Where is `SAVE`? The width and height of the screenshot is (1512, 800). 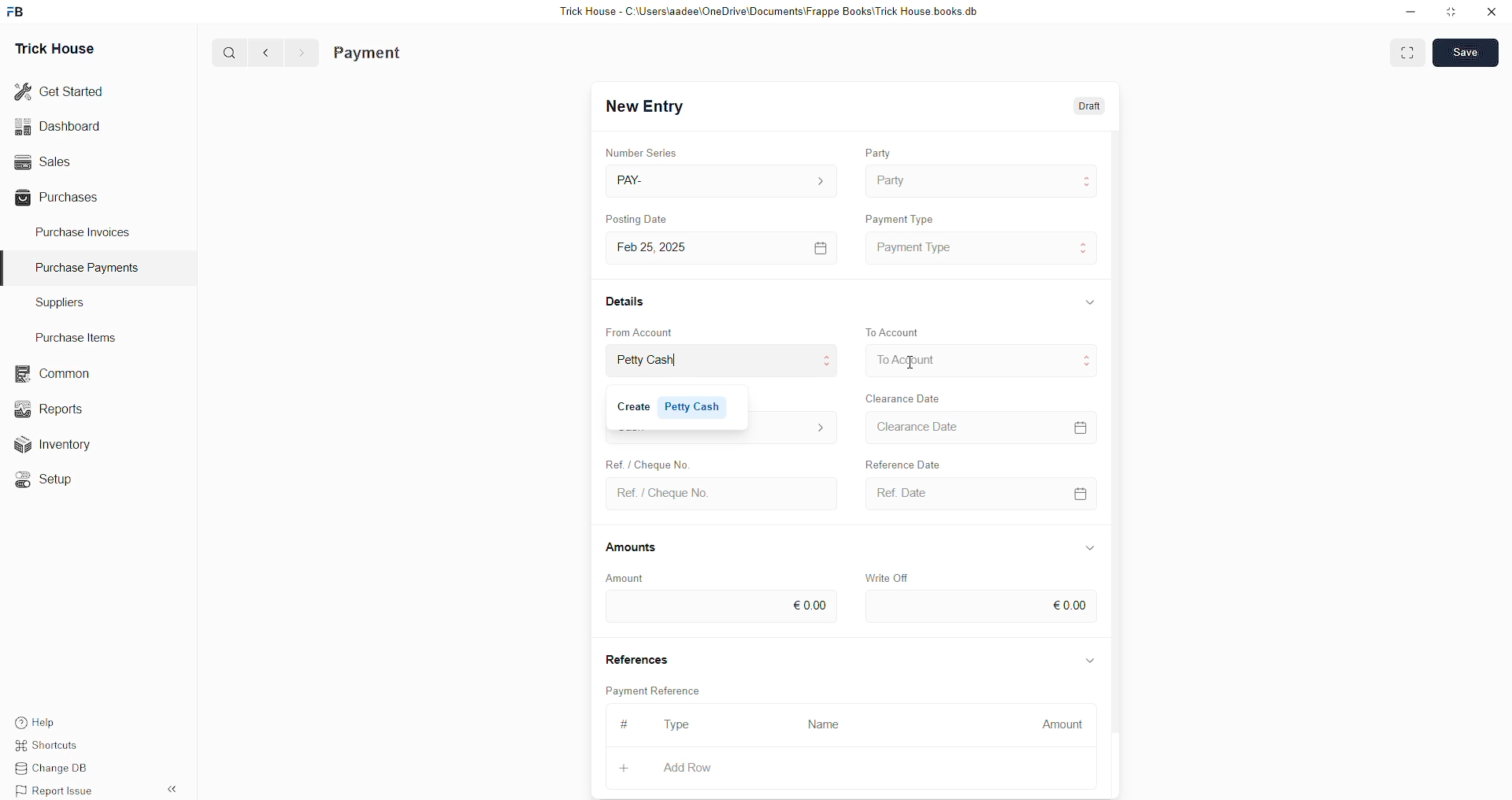 SAVE is located at coordinates (1469, 51).